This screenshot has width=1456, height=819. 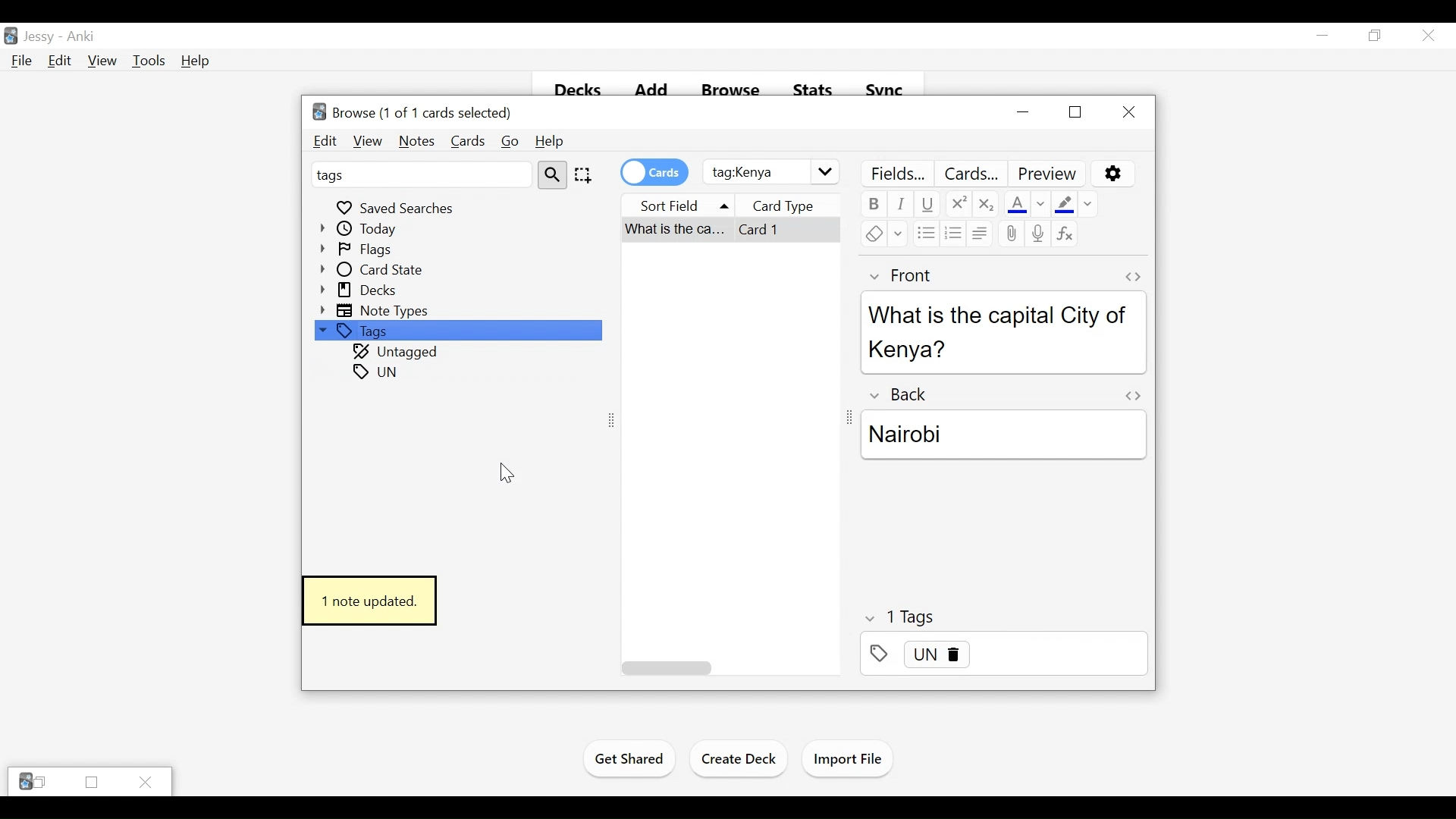 What do you see at coordinates (1003, 654) in the screenshot?
I see `UN` at bounding box center [1003, 654].